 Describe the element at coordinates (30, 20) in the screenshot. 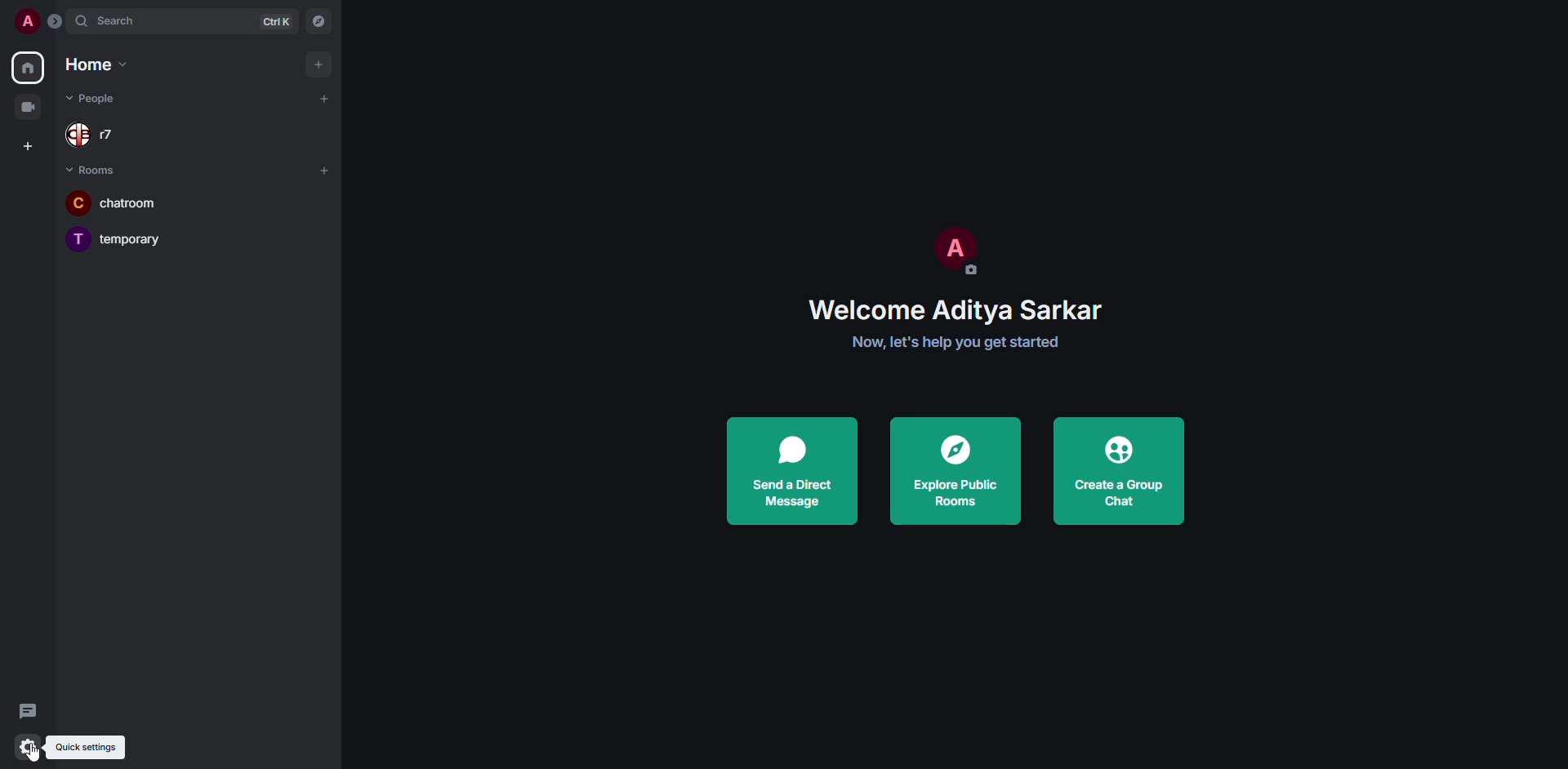

I see `profile` at that location.